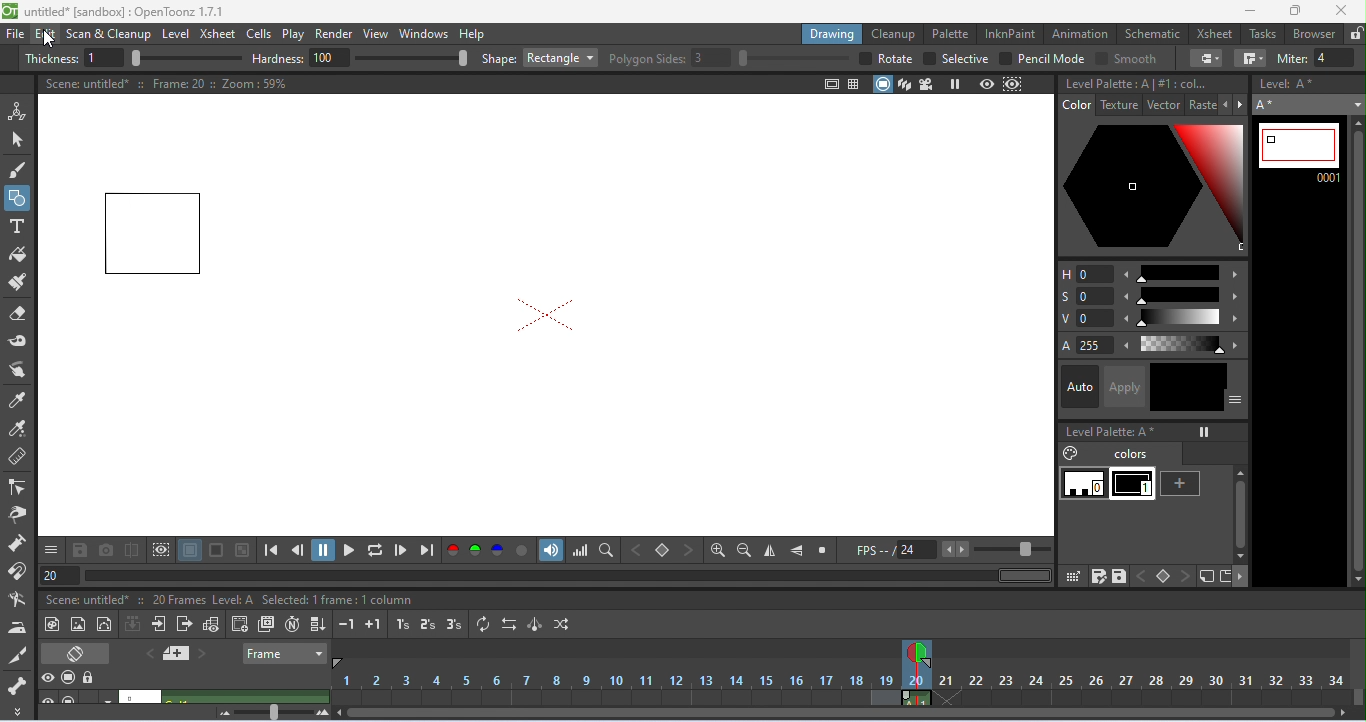 Image resolution: width=1366 pixels, height=722 pixels. I want to click on thickness, so click(134, 57).